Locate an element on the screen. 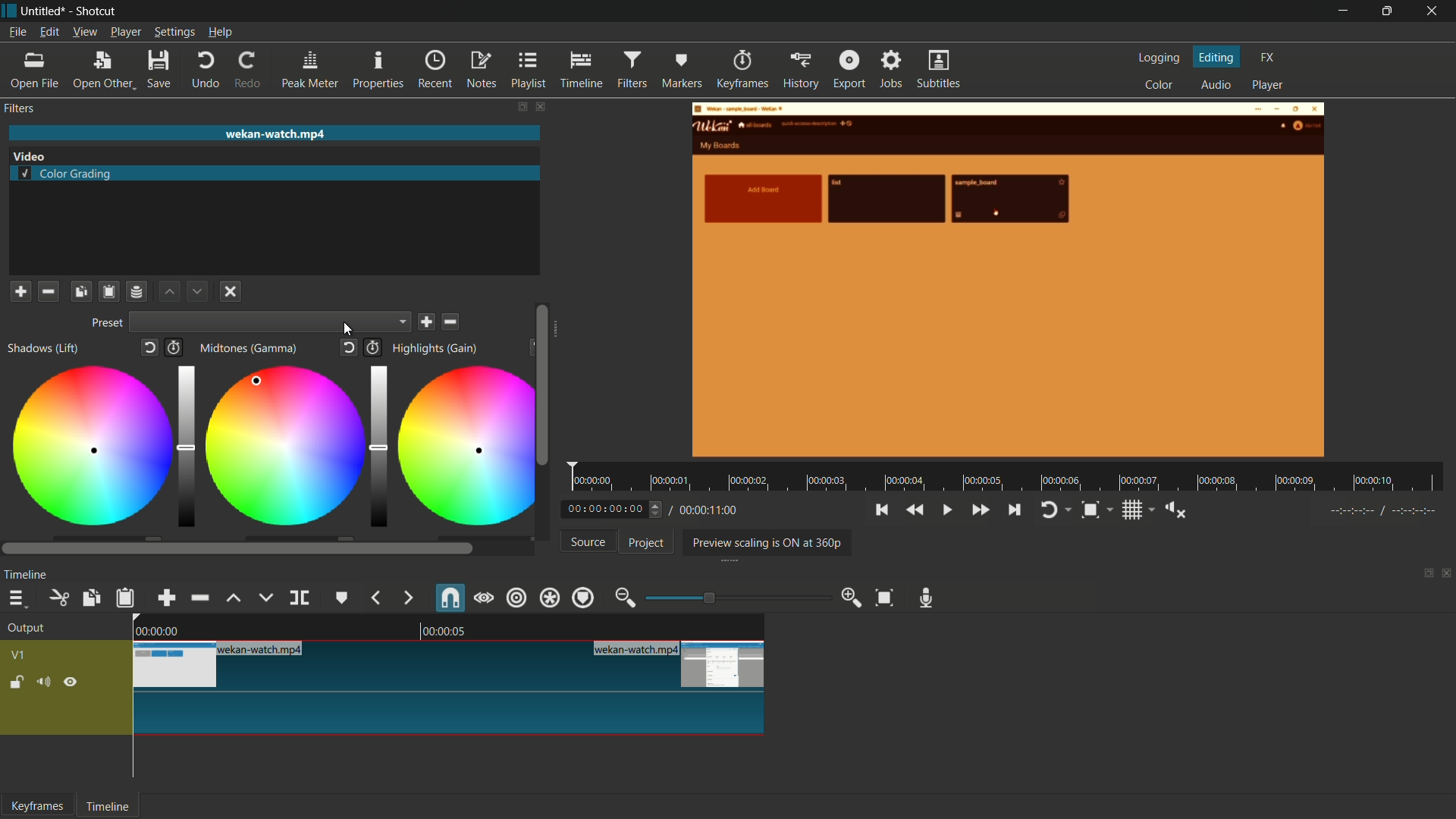  add keyframes to this parameter is located at coordinates (174, 347).